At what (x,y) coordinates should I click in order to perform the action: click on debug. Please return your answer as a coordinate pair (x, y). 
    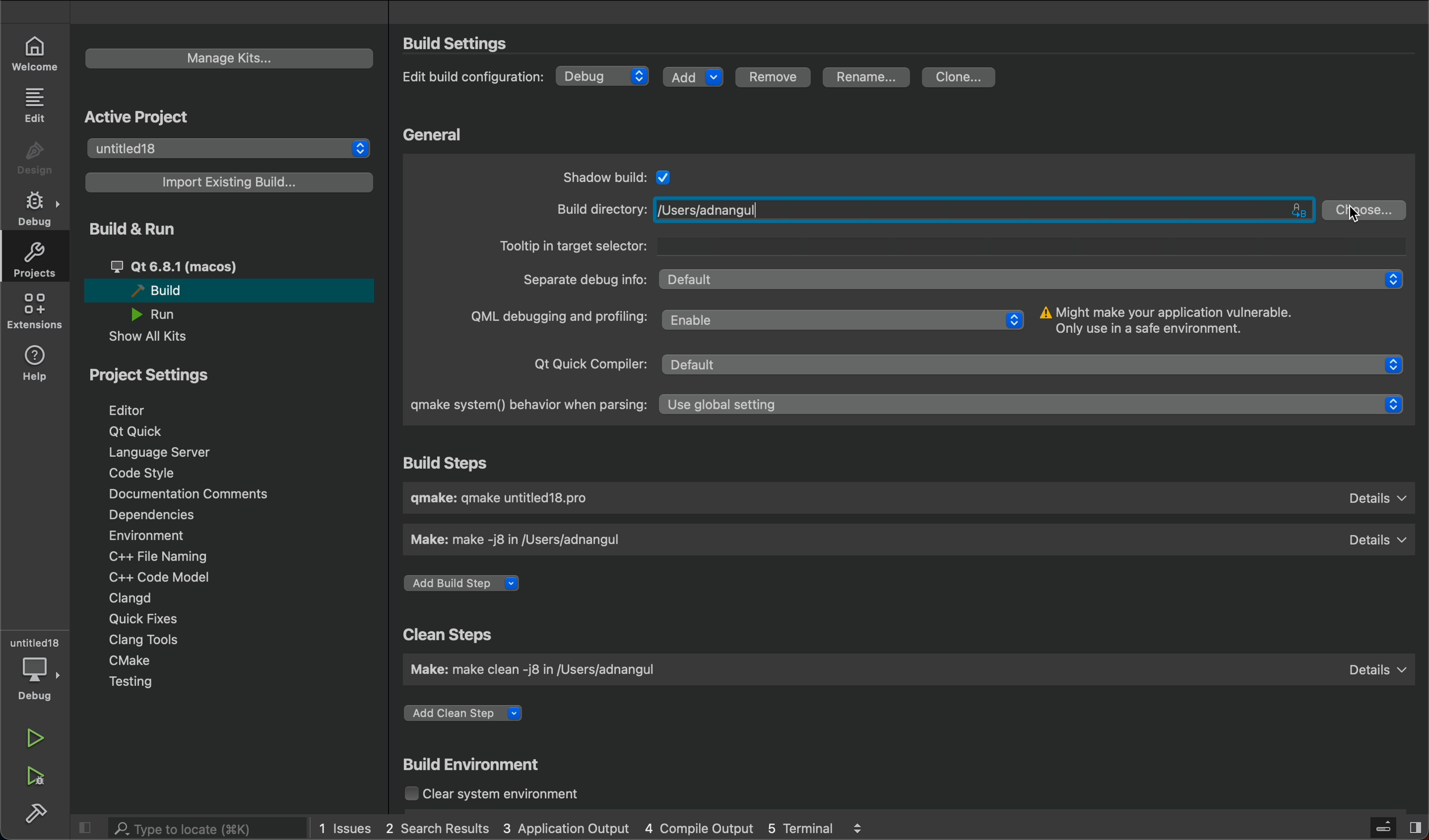
    Looking at the image, I should click on (39, 210).